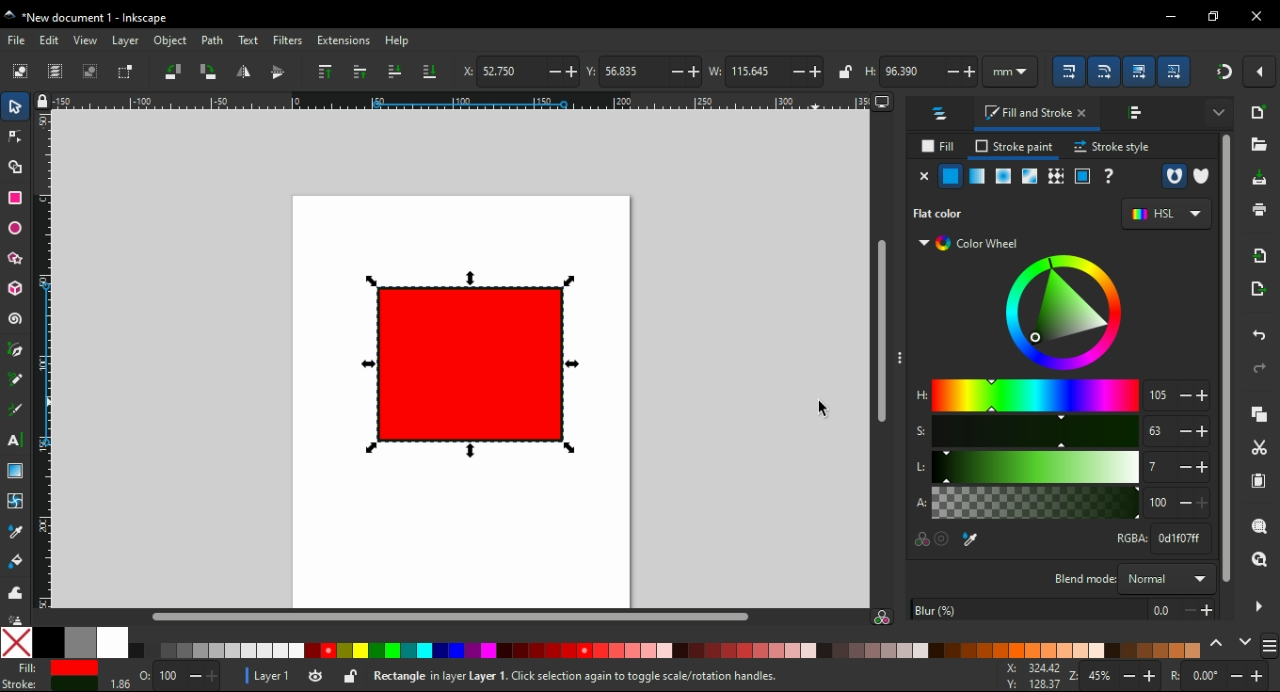 Image resolution: width=1280 pixels, height=692 pixels. Describe the element at coordinates (462, 100) in the screenshot. I see `ruler` at that location.